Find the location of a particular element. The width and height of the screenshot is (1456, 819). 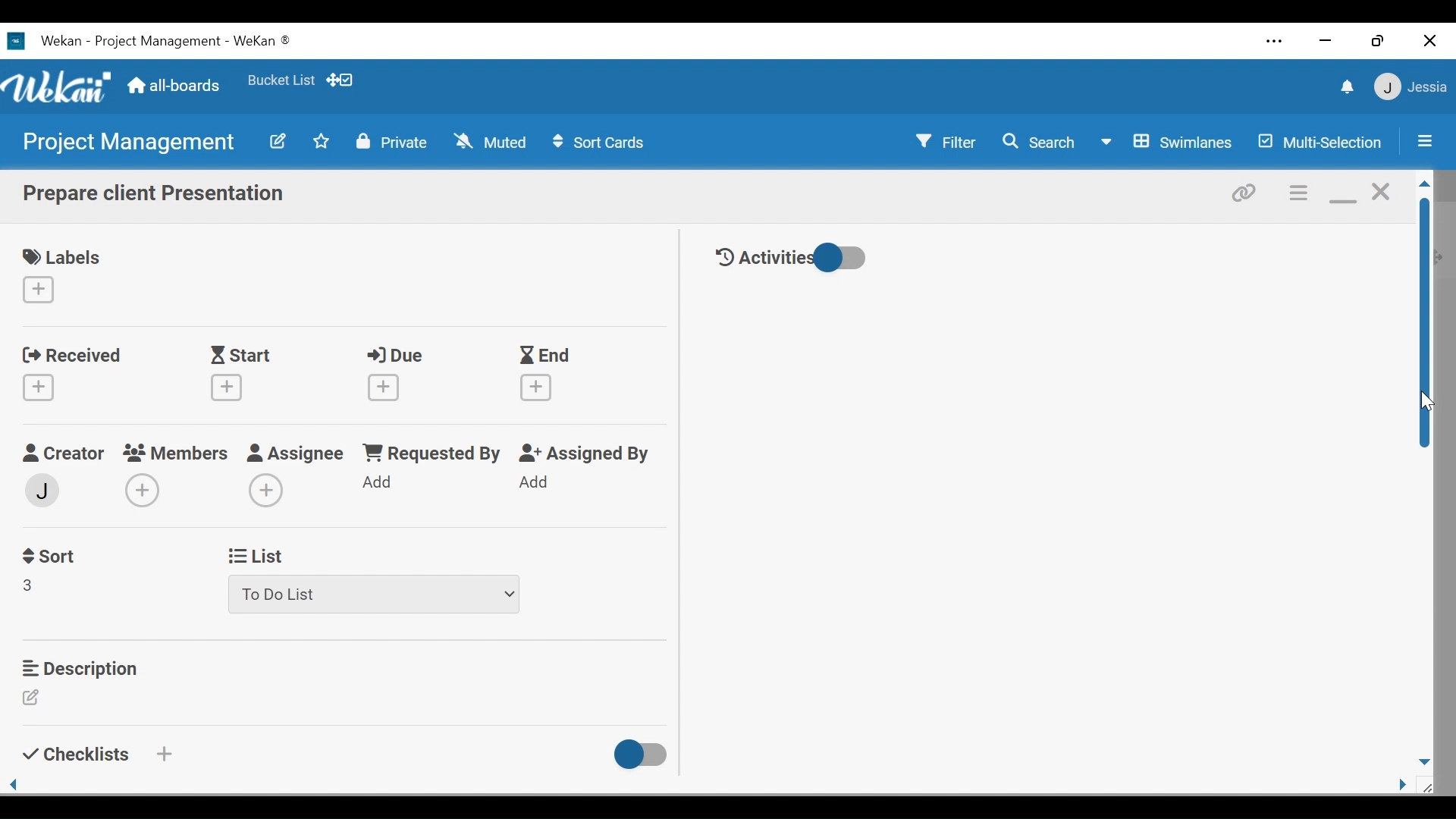

Checklists is located at coordinates (81, 754).